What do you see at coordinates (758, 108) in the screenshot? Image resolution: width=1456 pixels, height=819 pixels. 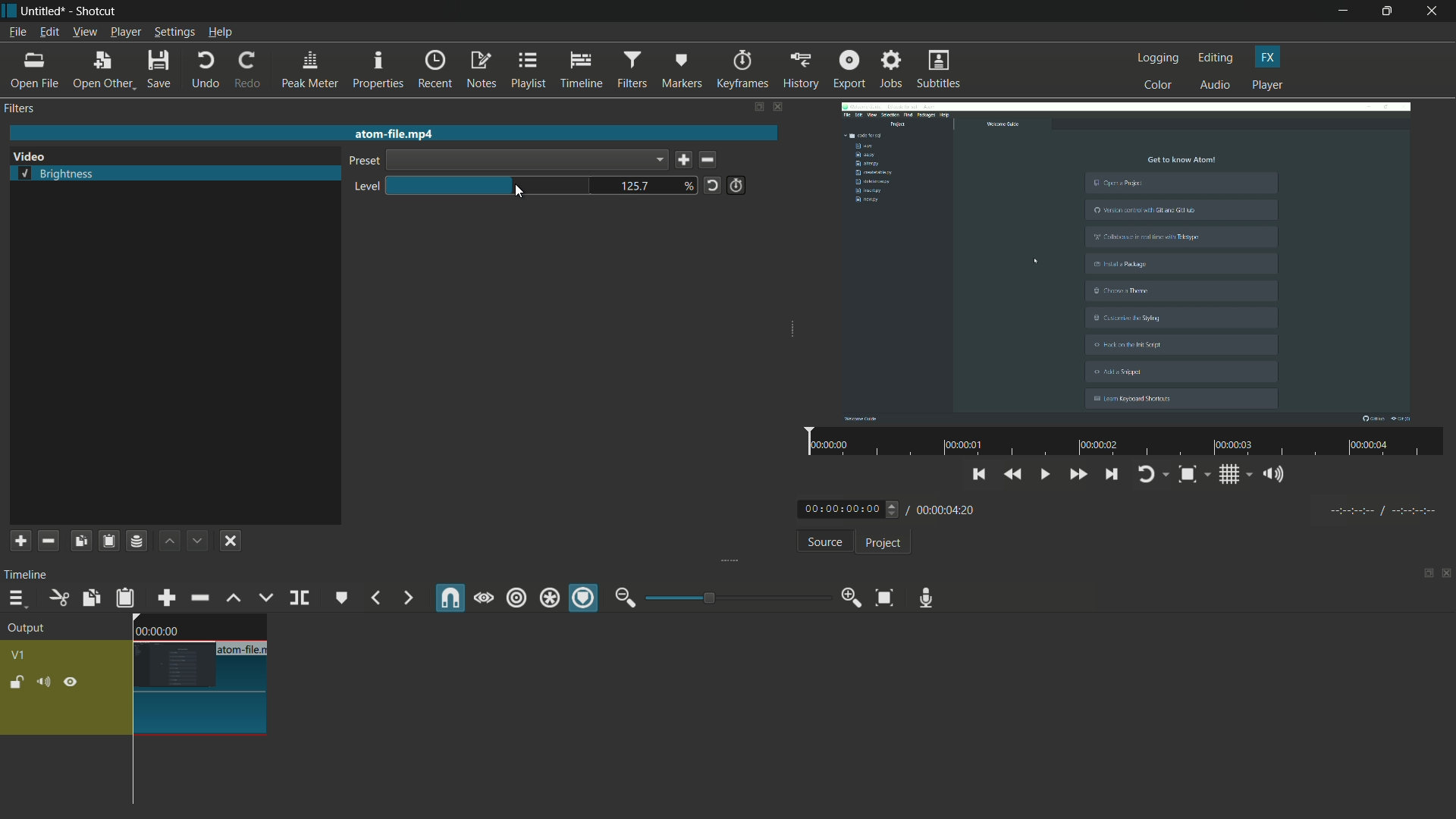 I see `show tabs` at bounding box center [758, 108].